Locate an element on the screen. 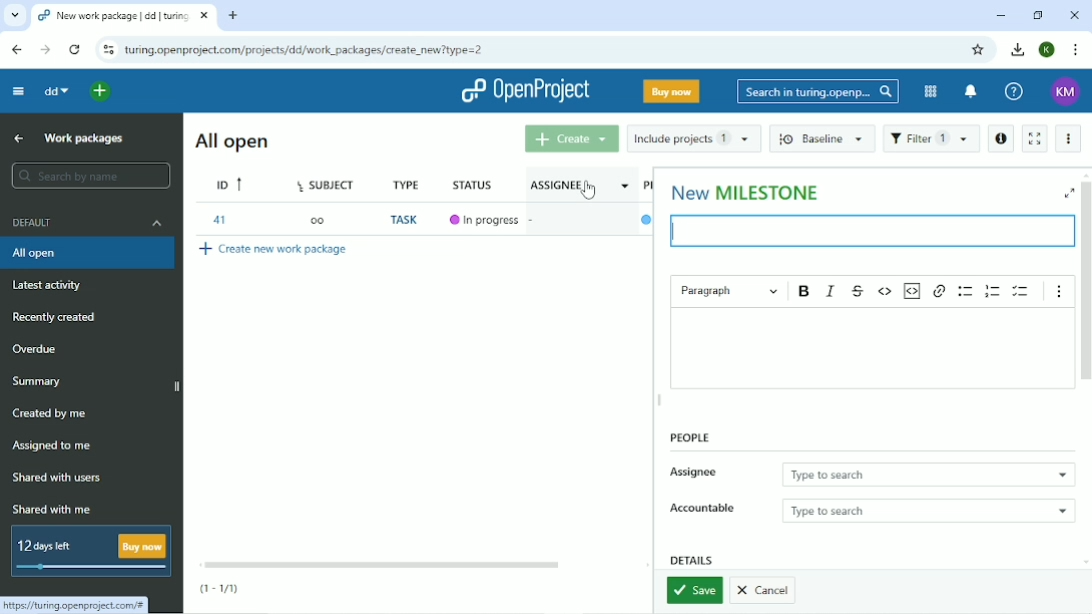 The width and height of the screenshot is (1092, 614). Include projects 1 is located at coordinates (693, 138).